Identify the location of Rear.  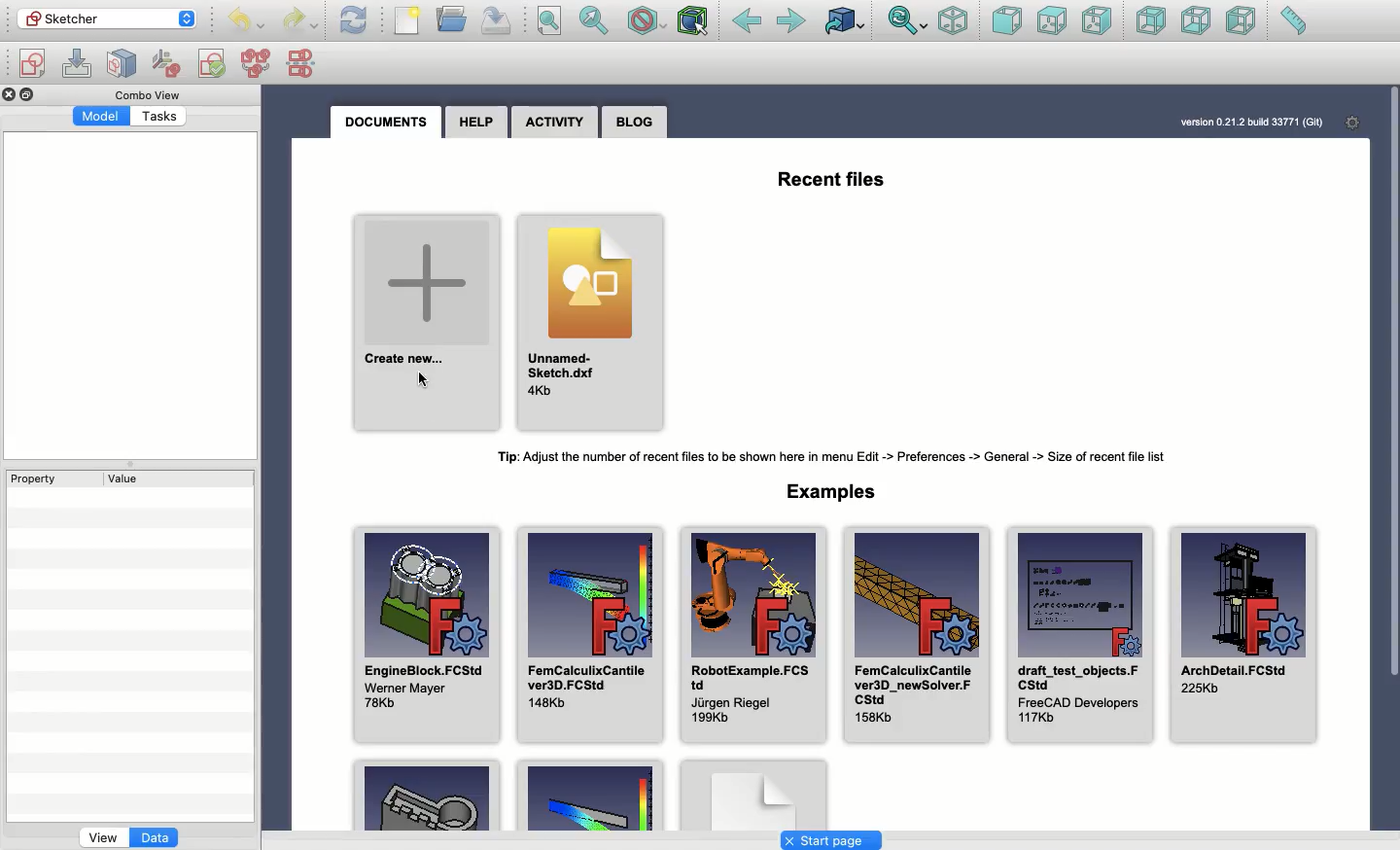
(1150, 20).